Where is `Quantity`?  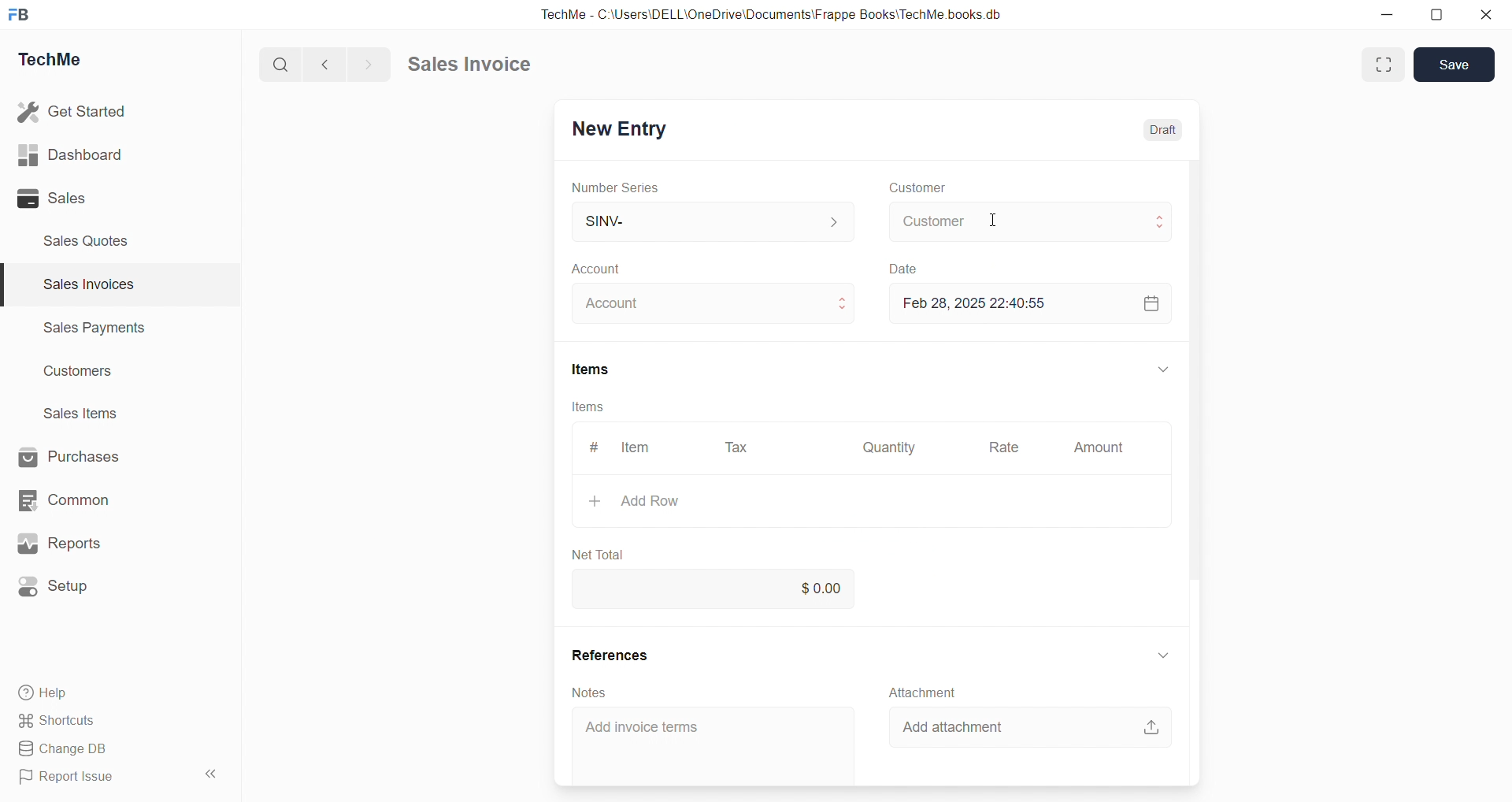 Quantity is located at coordinates (889, 448).